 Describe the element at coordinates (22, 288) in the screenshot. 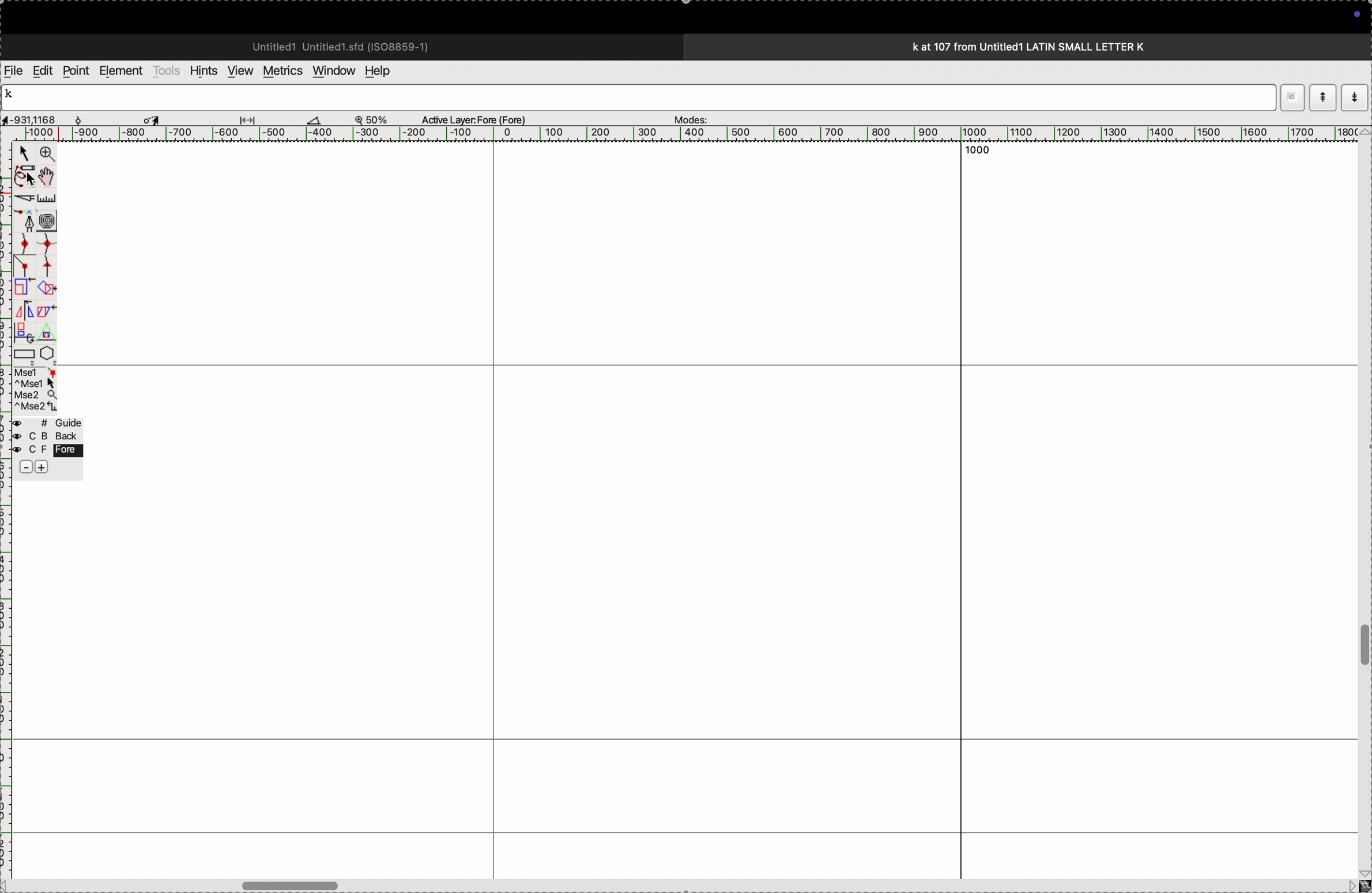

I see `clone` at that location.